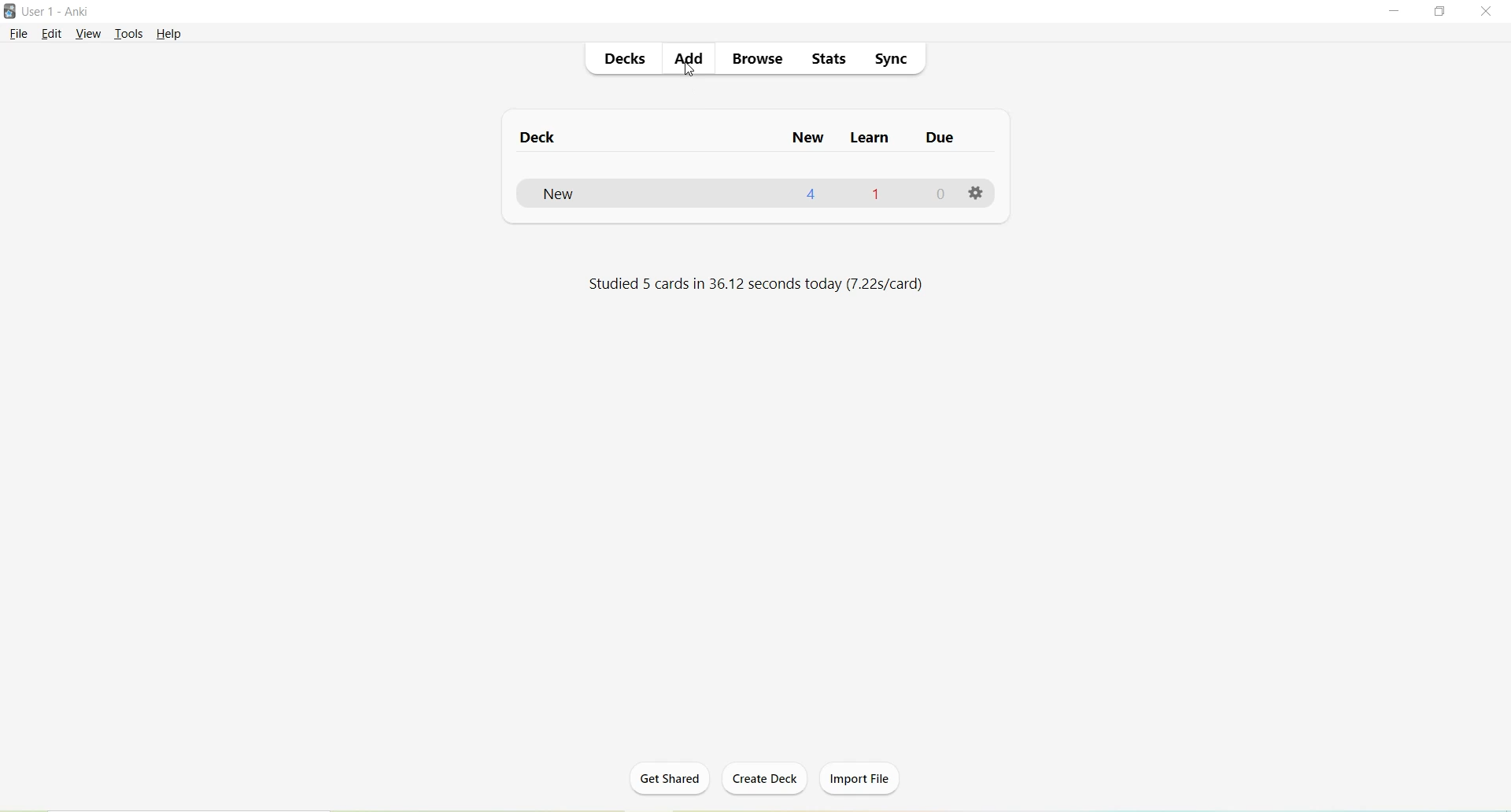 The width and height of the screenshot is (1511, 812). Describe the element at coordinates (1440, 12) in the screenshot. I see `Maximize` at that location.